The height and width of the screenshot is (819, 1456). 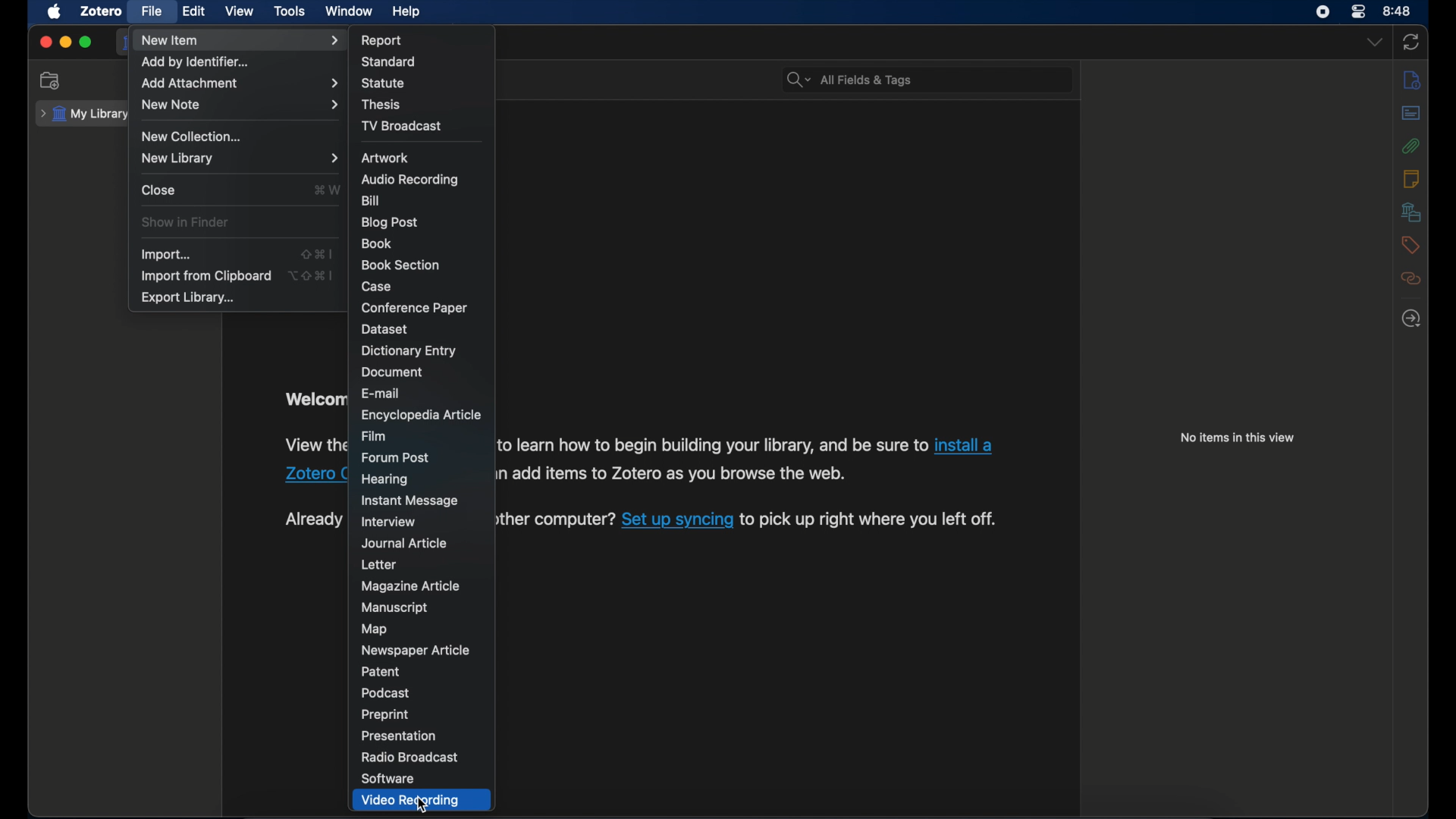 What do you see at coordinates (1238, 437) in the screenshot?
I see `no items in this view` at bounding box center [1238, 437].